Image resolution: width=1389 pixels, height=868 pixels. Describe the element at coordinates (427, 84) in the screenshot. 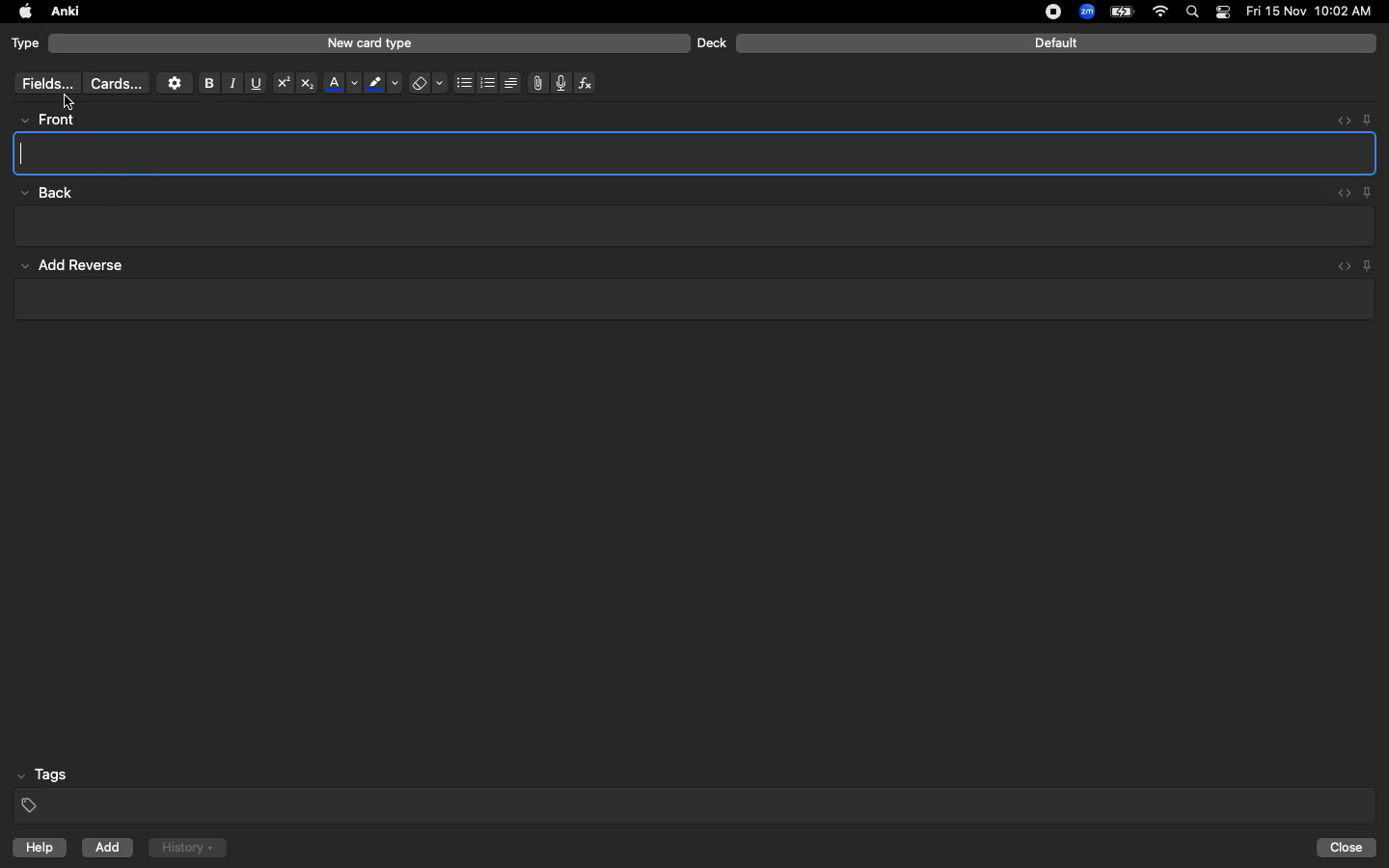

I see `Eraser` at that location.